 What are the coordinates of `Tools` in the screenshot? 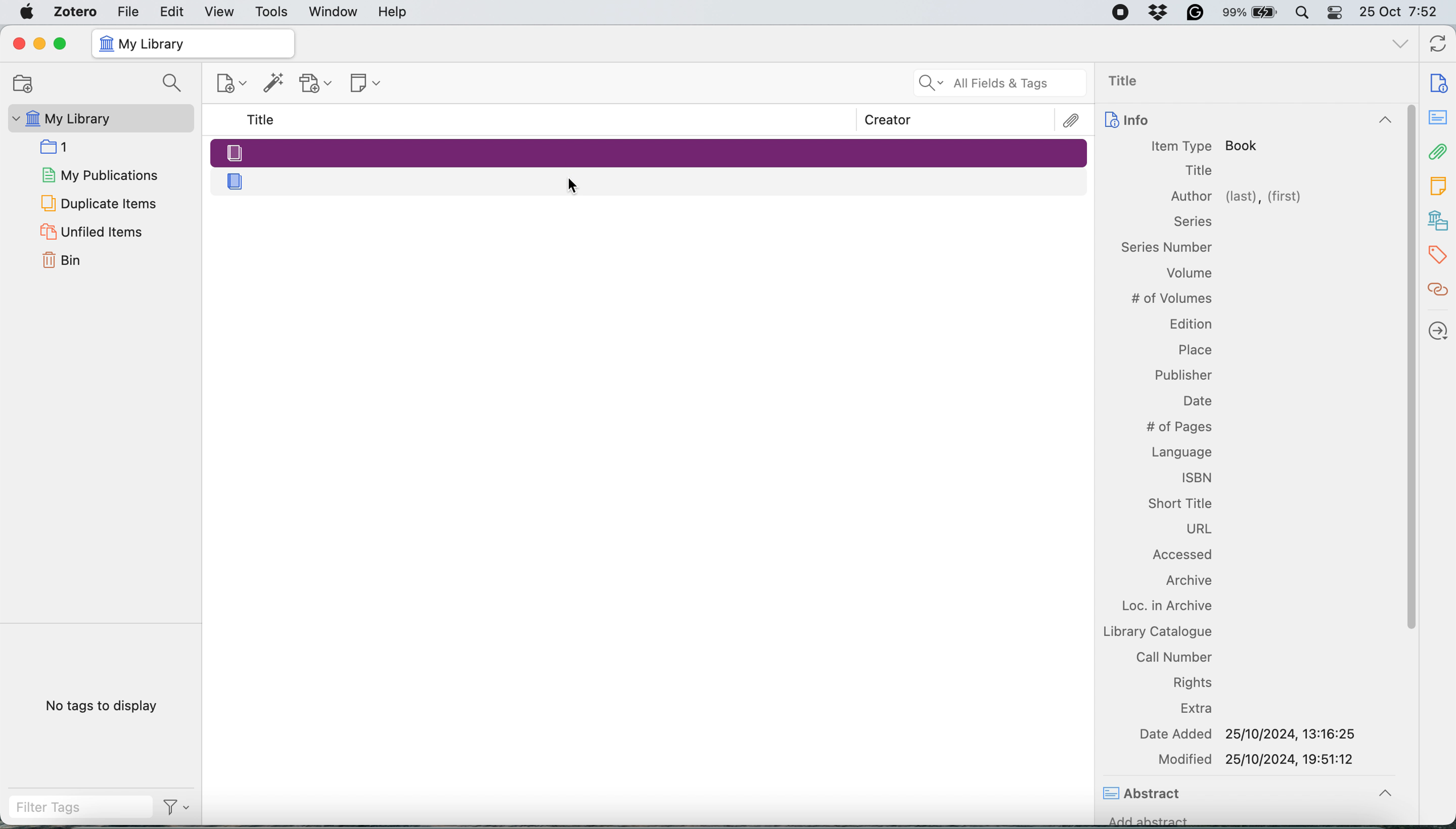 It's located at (272, 13).